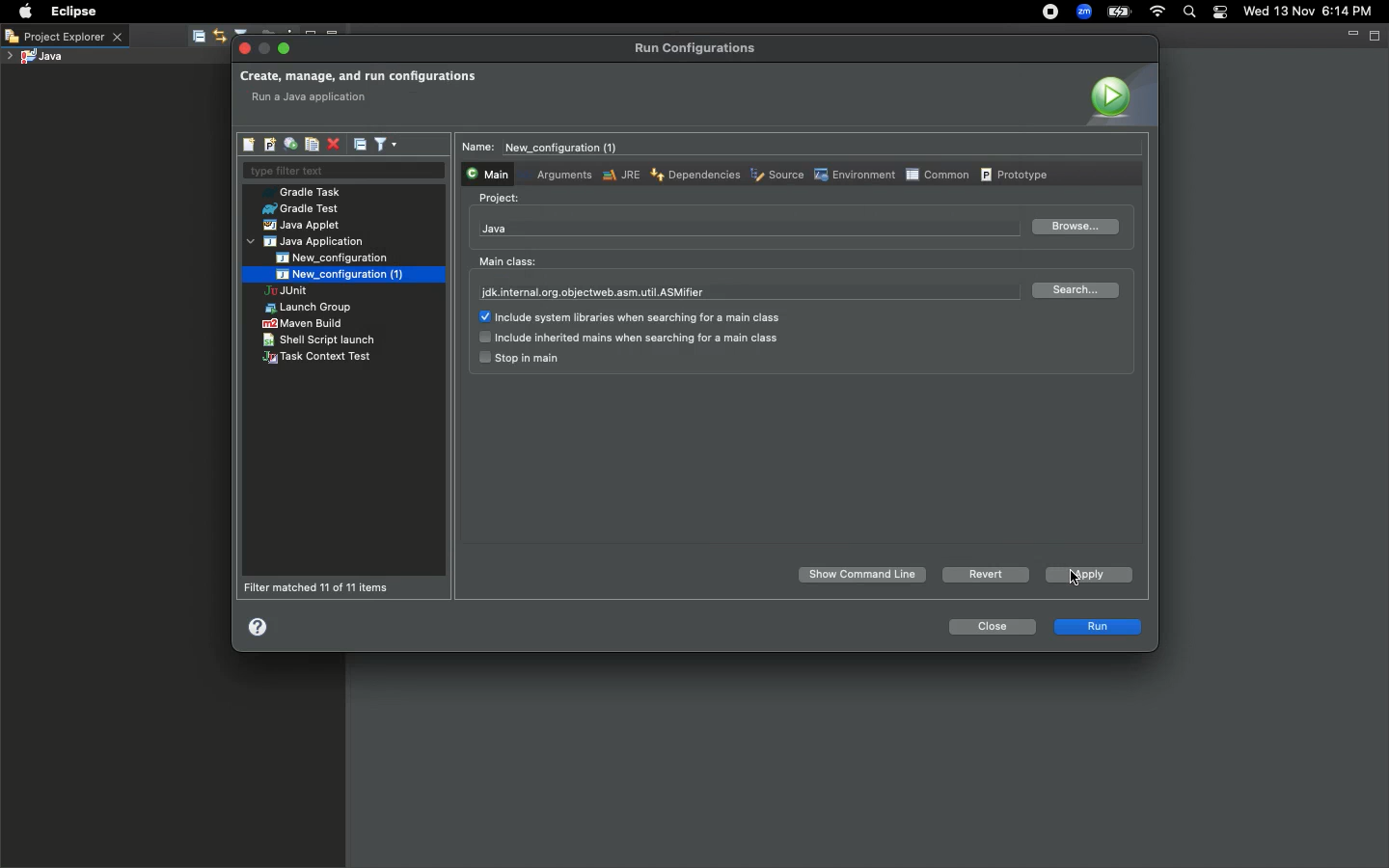 This screenshot has height=868, width=1389. What do you see at coordinates (485, 173) in the screenshot?
I see `Main` at bounding box center [485, 173].